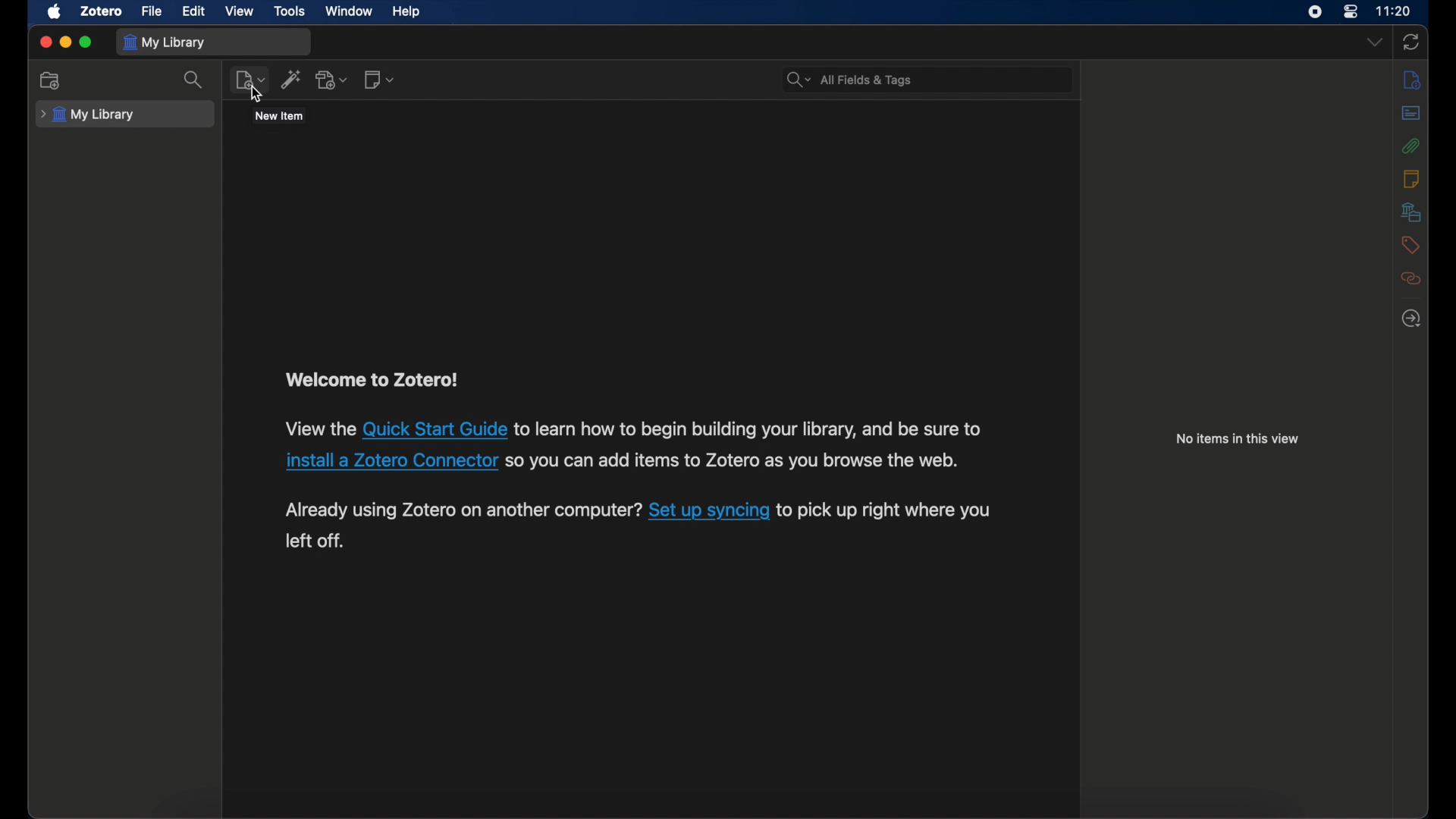 The width and height of the screenshot is (1456, 819). Describe the element at coordinates (151, 11) in the screenshot. I see `file` at that location.